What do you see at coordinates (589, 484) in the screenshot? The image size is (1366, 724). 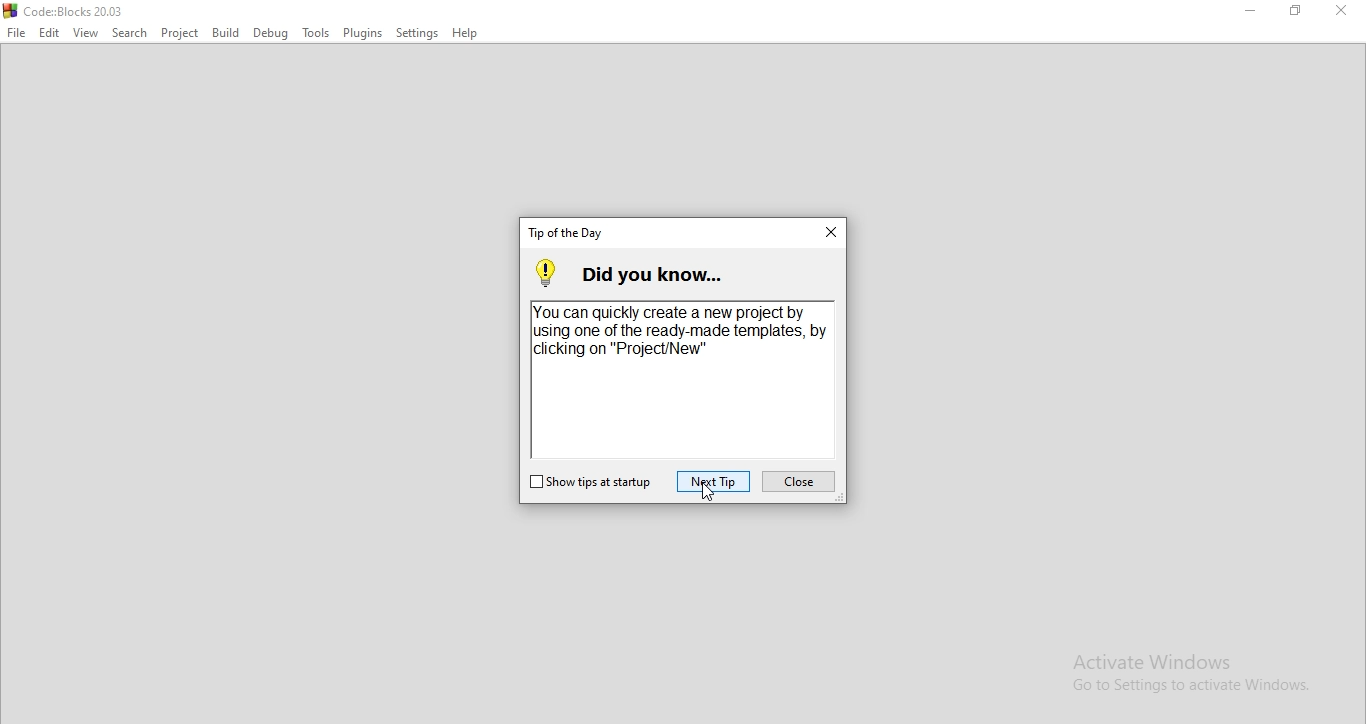 I see `show tips on startup` at bounding box center [589, 484].